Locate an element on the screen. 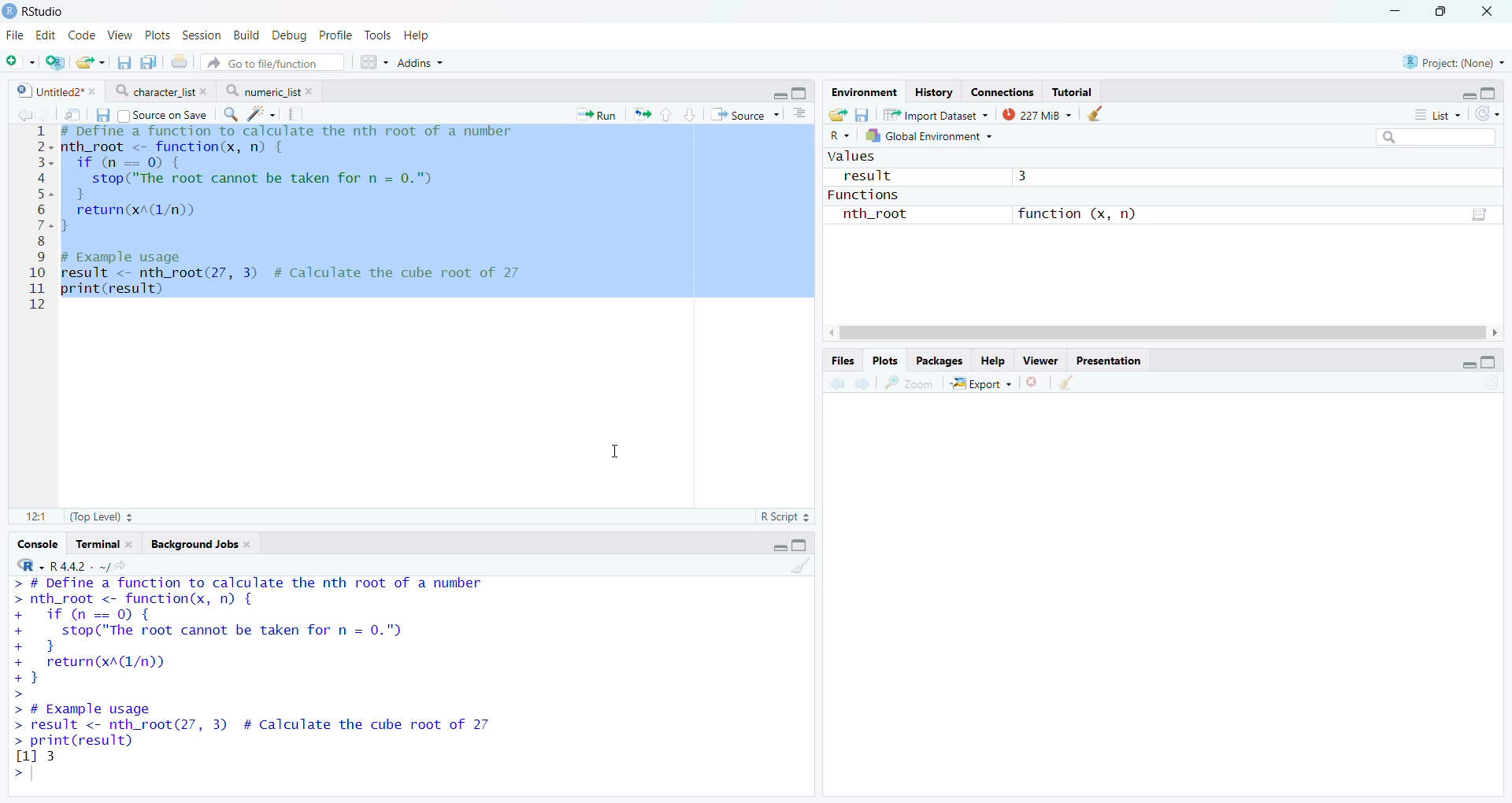  result is located at coordinates (869, 176).